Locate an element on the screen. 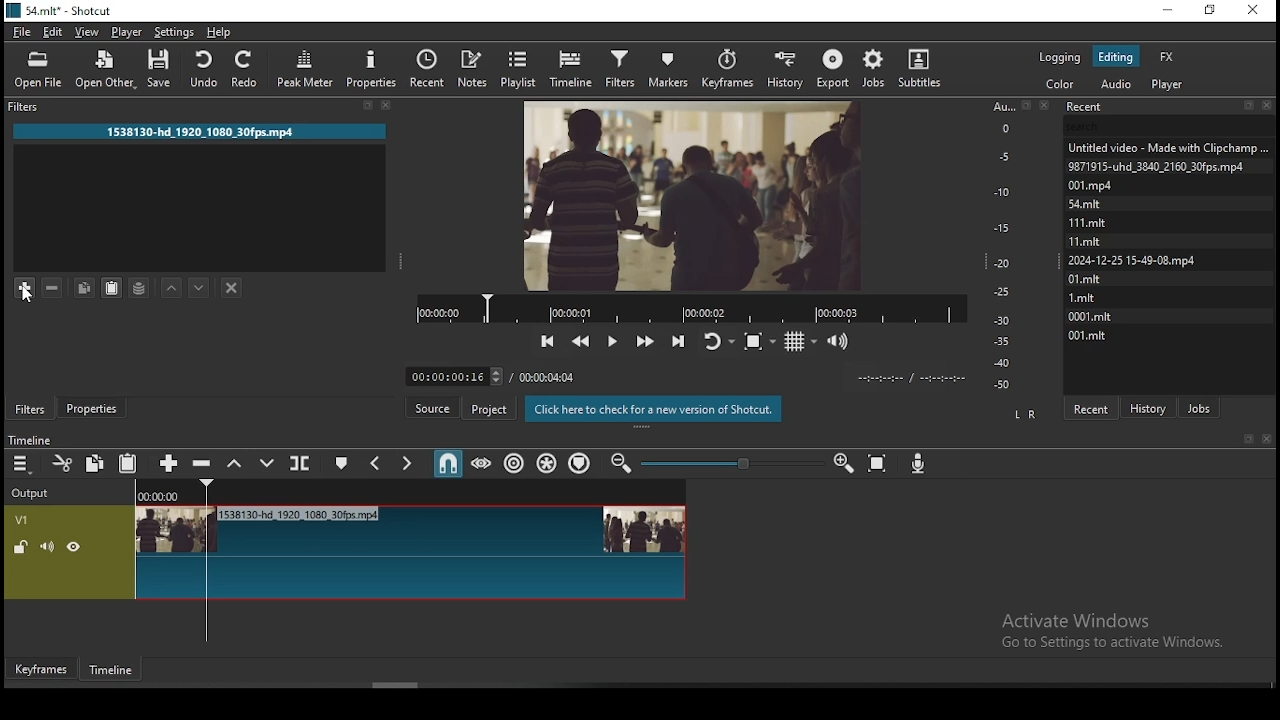 The image size is (1280, 720). snap is located at coordinates (443, 464).